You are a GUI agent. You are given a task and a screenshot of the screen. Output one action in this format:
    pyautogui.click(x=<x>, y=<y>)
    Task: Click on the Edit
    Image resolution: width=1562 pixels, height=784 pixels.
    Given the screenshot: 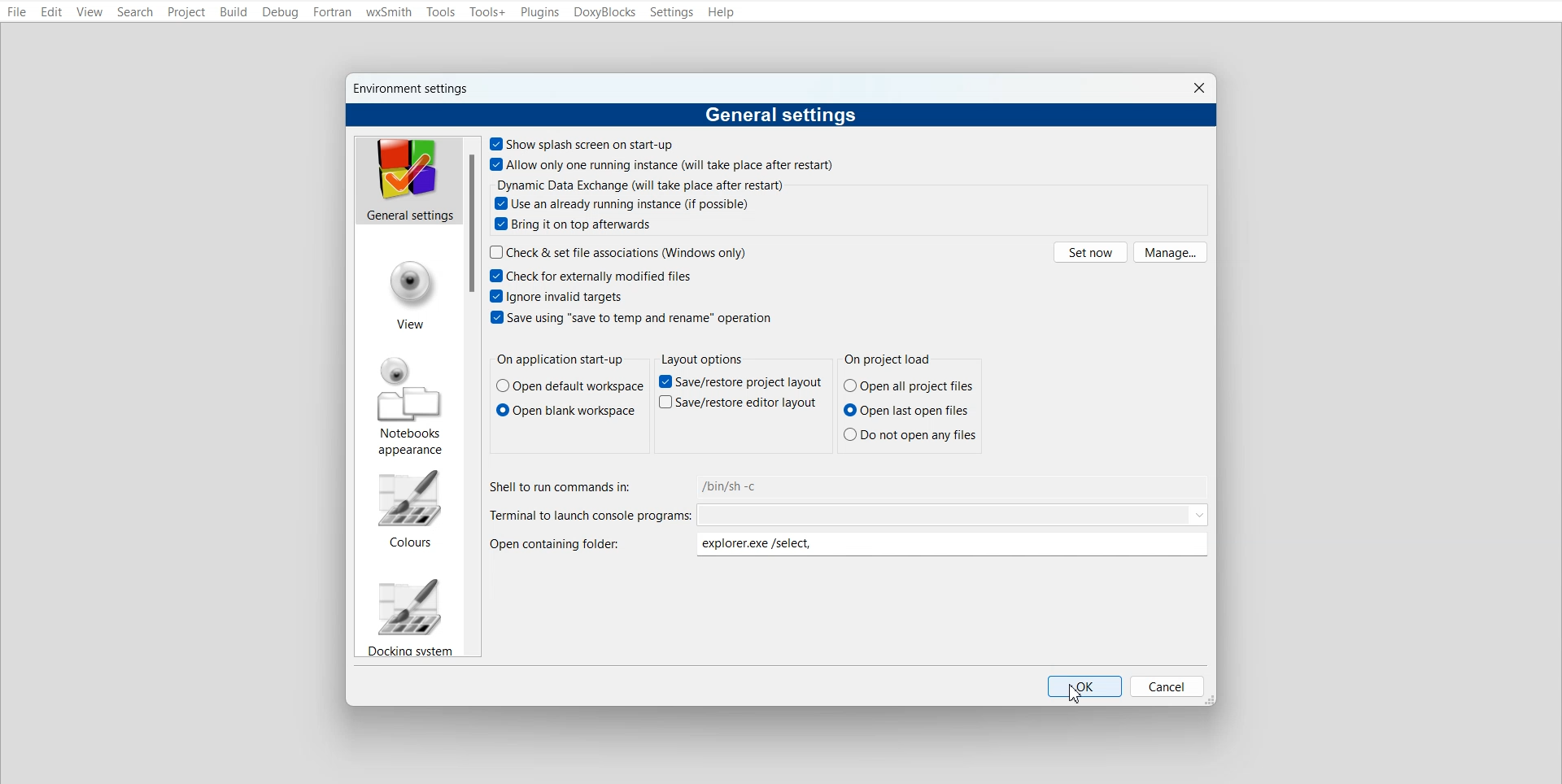 What is the action you would take?
    pyautogui.click(x=51, y=13)
    